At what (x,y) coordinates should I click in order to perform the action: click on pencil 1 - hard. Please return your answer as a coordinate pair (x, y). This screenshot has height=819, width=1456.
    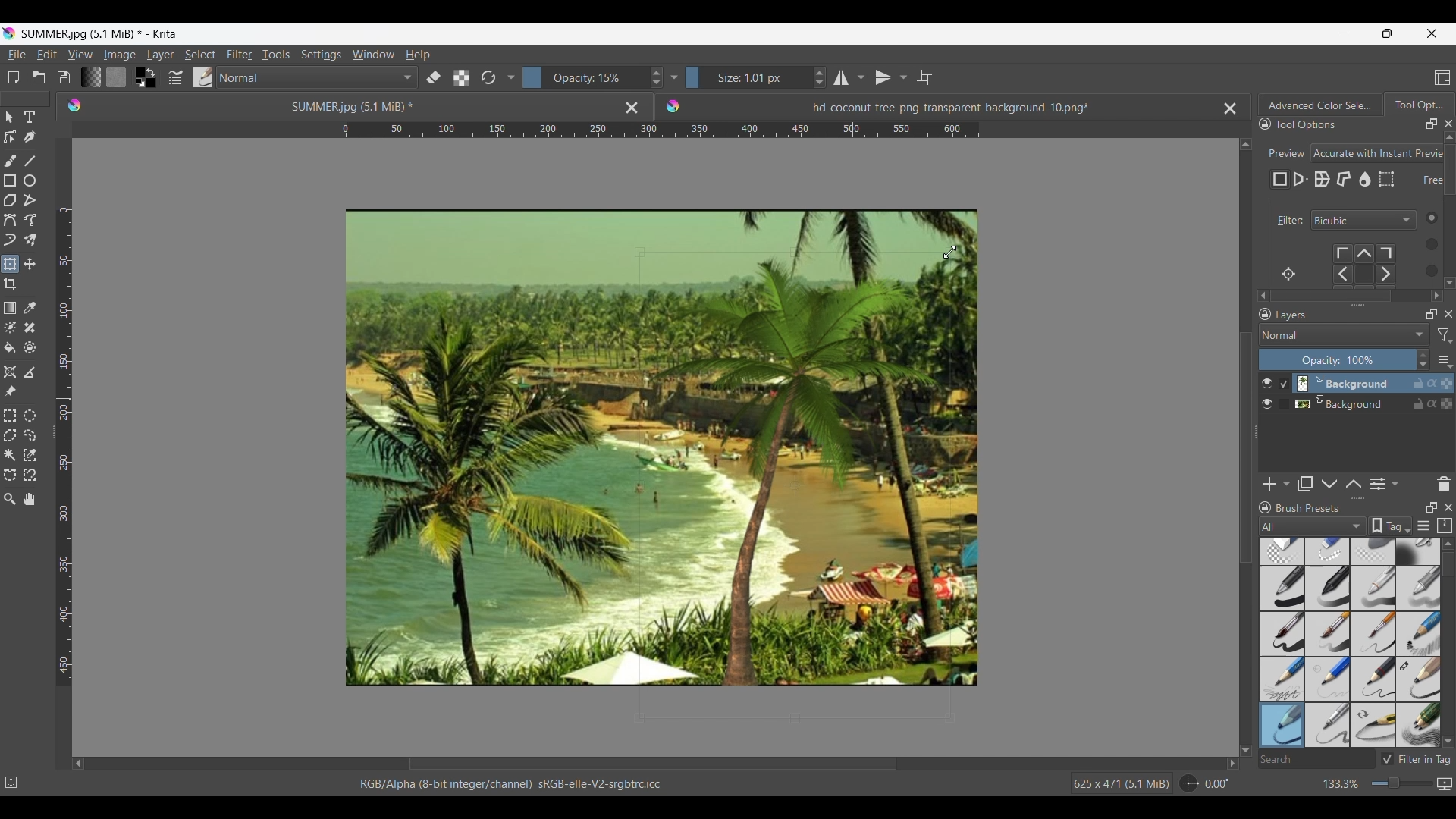
    Looking at the image, I should click on (1328, 679).